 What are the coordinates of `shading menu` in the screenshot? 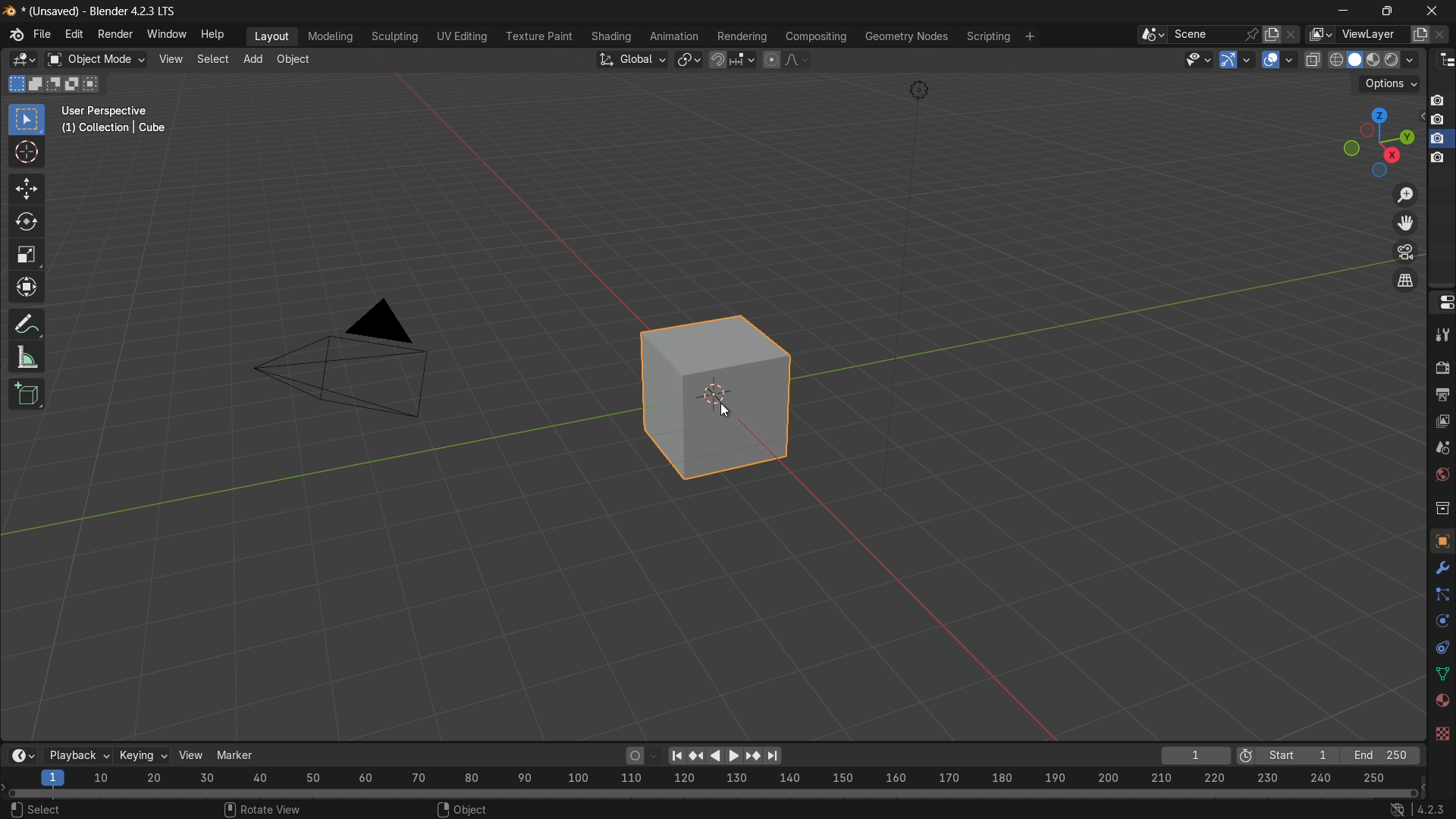 It's located at (609, 37).